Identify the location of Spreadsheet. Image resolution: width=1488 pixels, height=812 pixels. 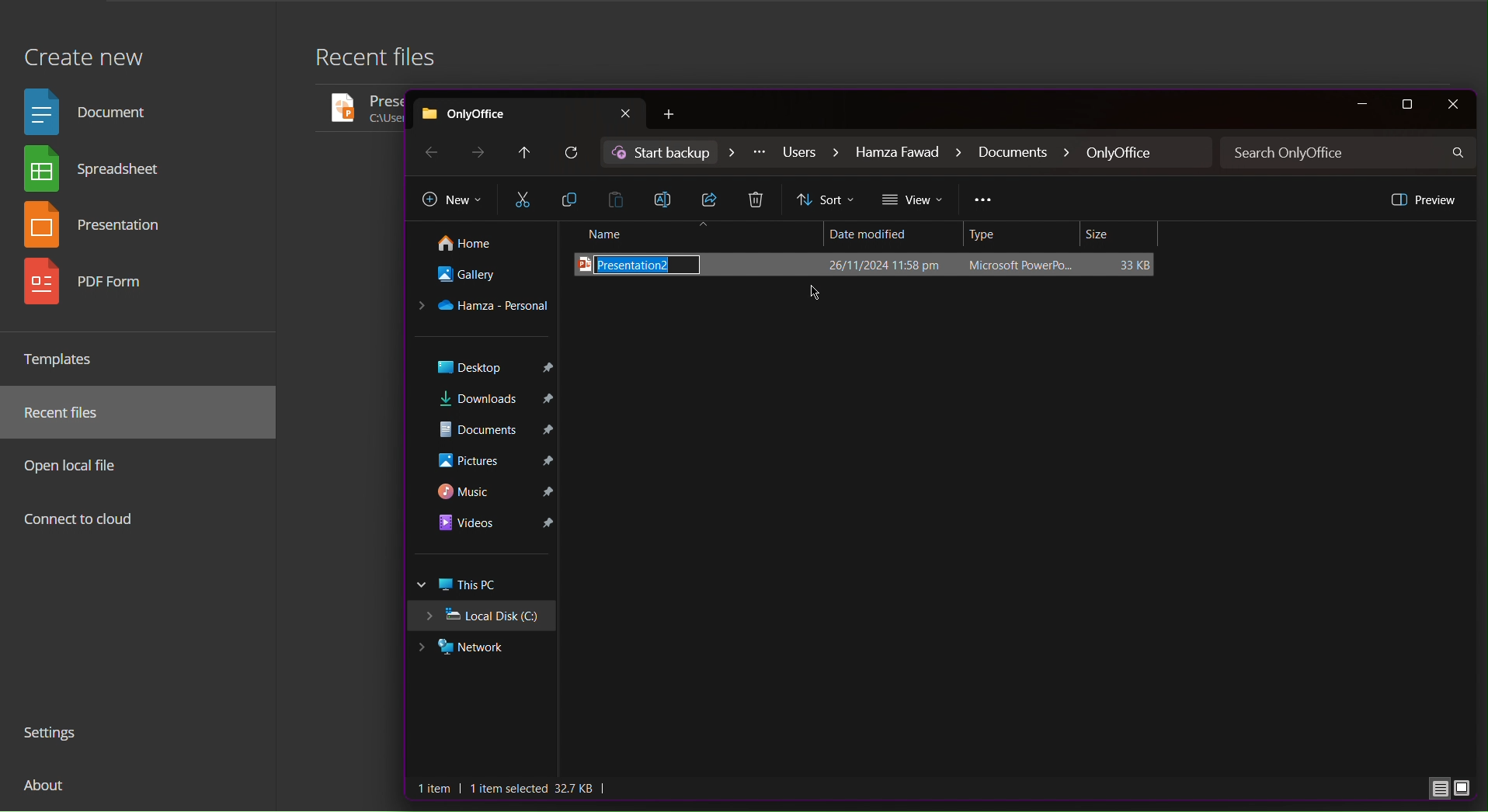
(98, 172).